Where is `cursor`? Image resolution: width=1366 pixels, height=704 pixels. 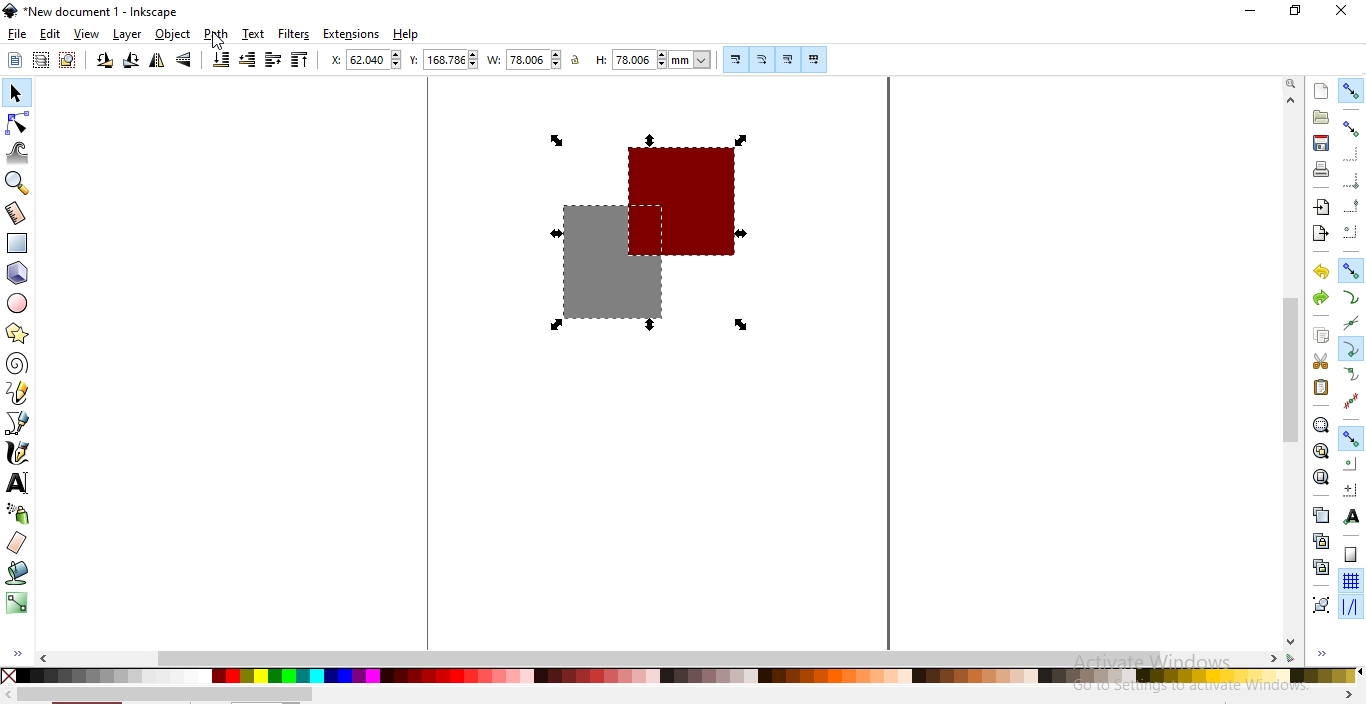 cursor is located at coordinates (215, 43).